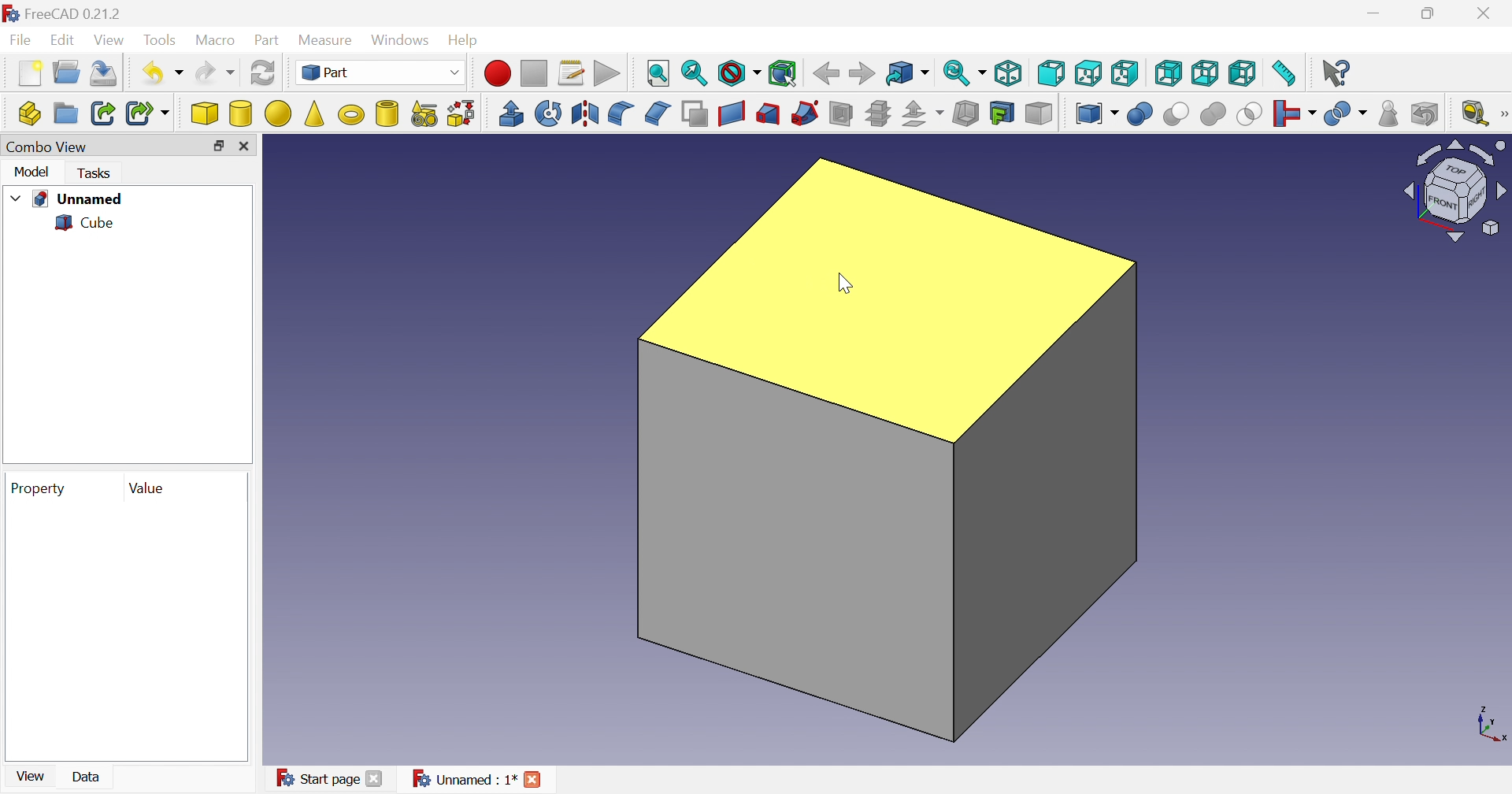 The image size is (1512, 794). I want to click on Undo, so click(163, 72).